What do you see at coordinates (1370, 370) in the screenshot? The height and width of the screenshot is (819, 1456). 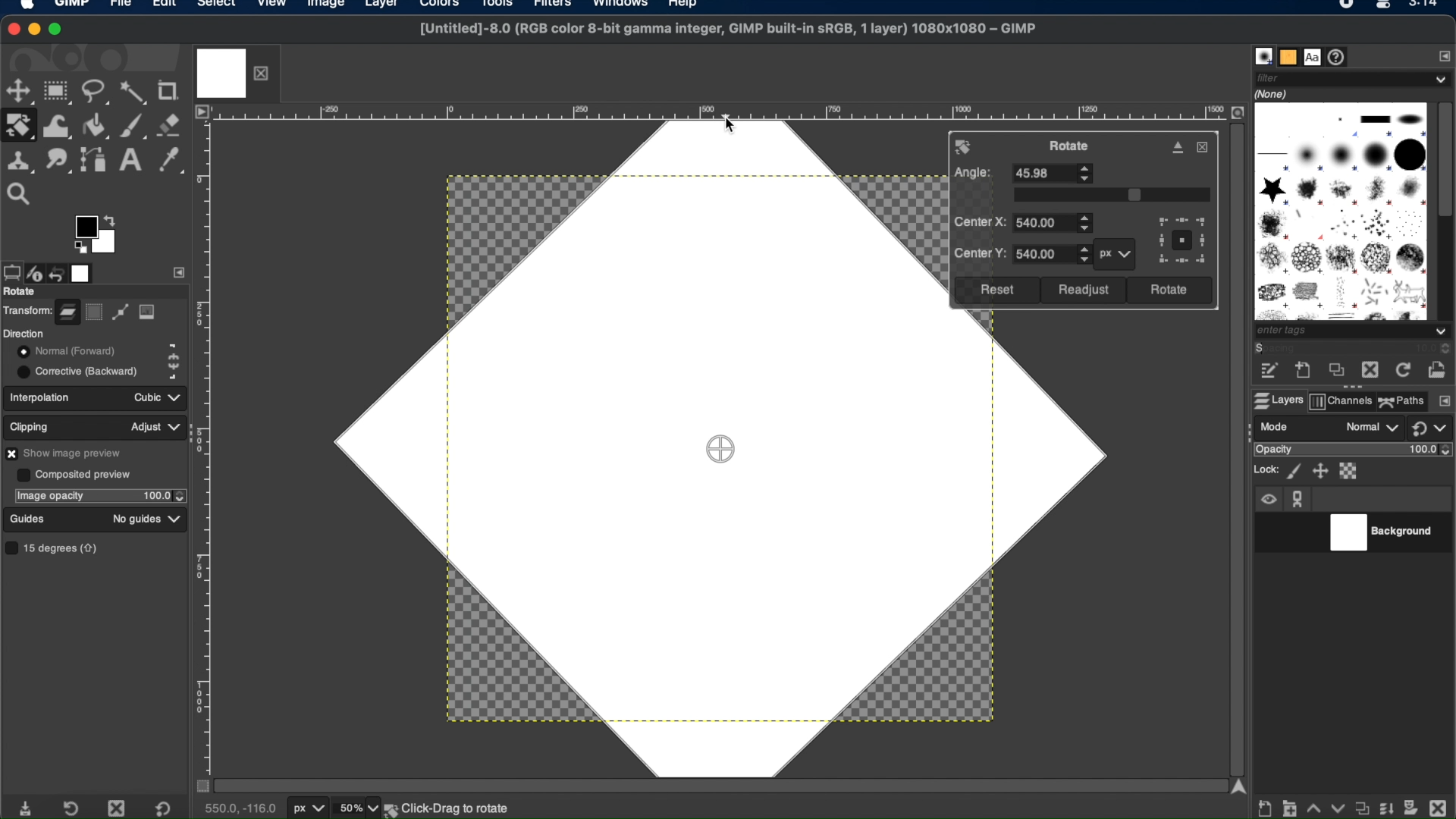 I see `delete this brush` at bounding box center [1370, 370].